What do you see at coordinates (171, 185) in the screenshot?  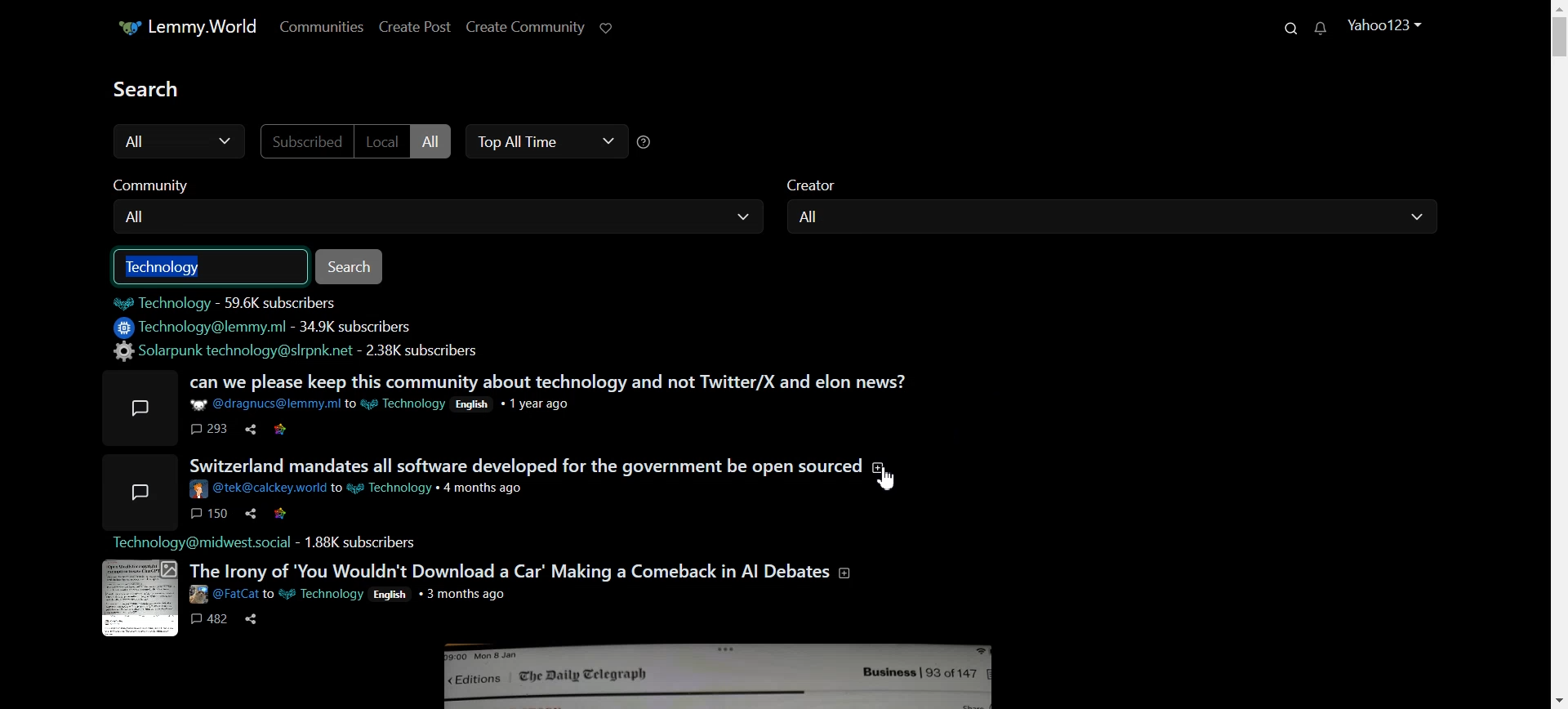 I see `Community` at bounding box center [171, 185].